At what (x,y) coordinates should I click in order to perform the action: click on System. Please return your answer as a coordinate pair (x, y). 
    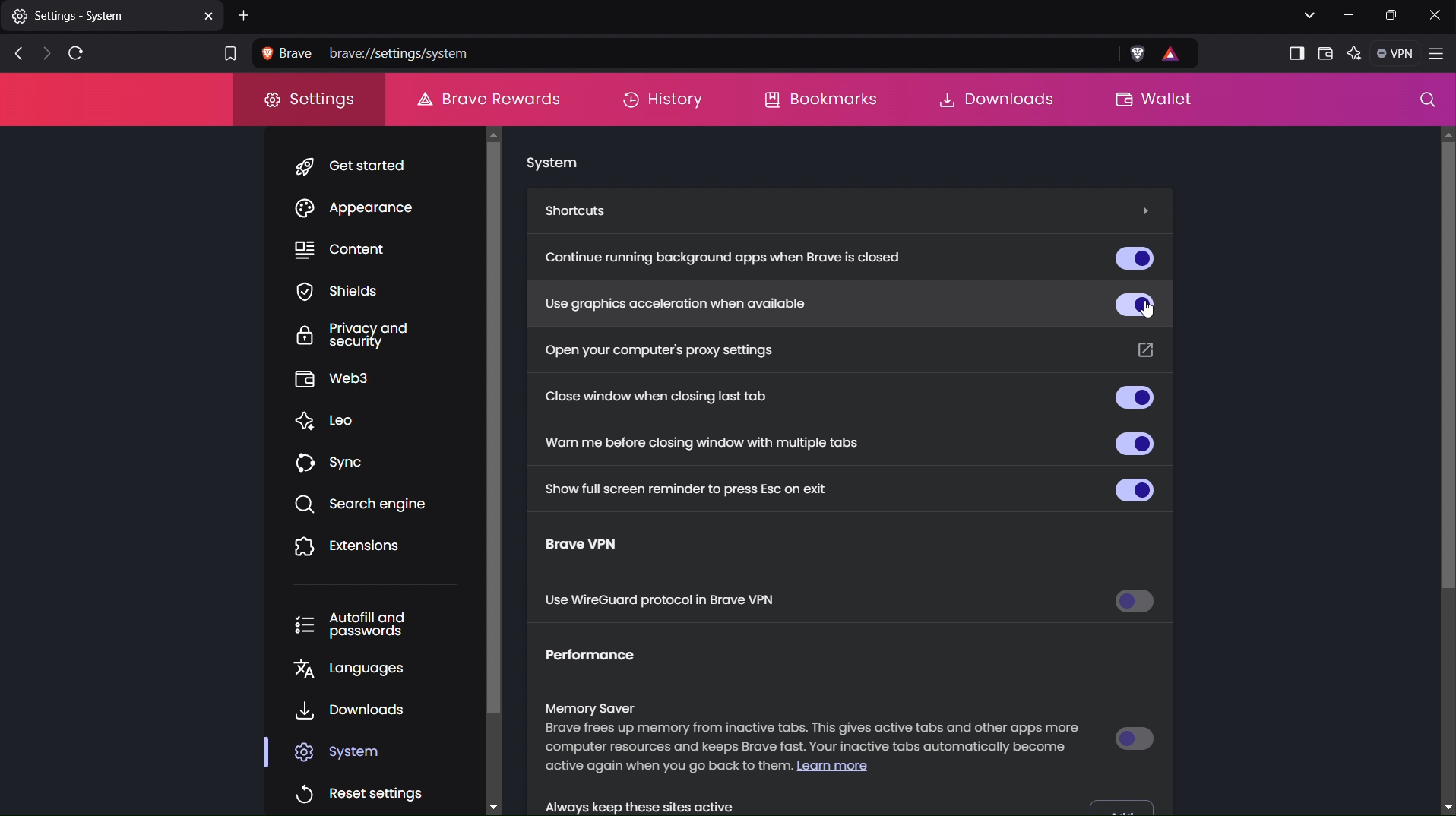
    Looking at the image, I should click on (348, 751).